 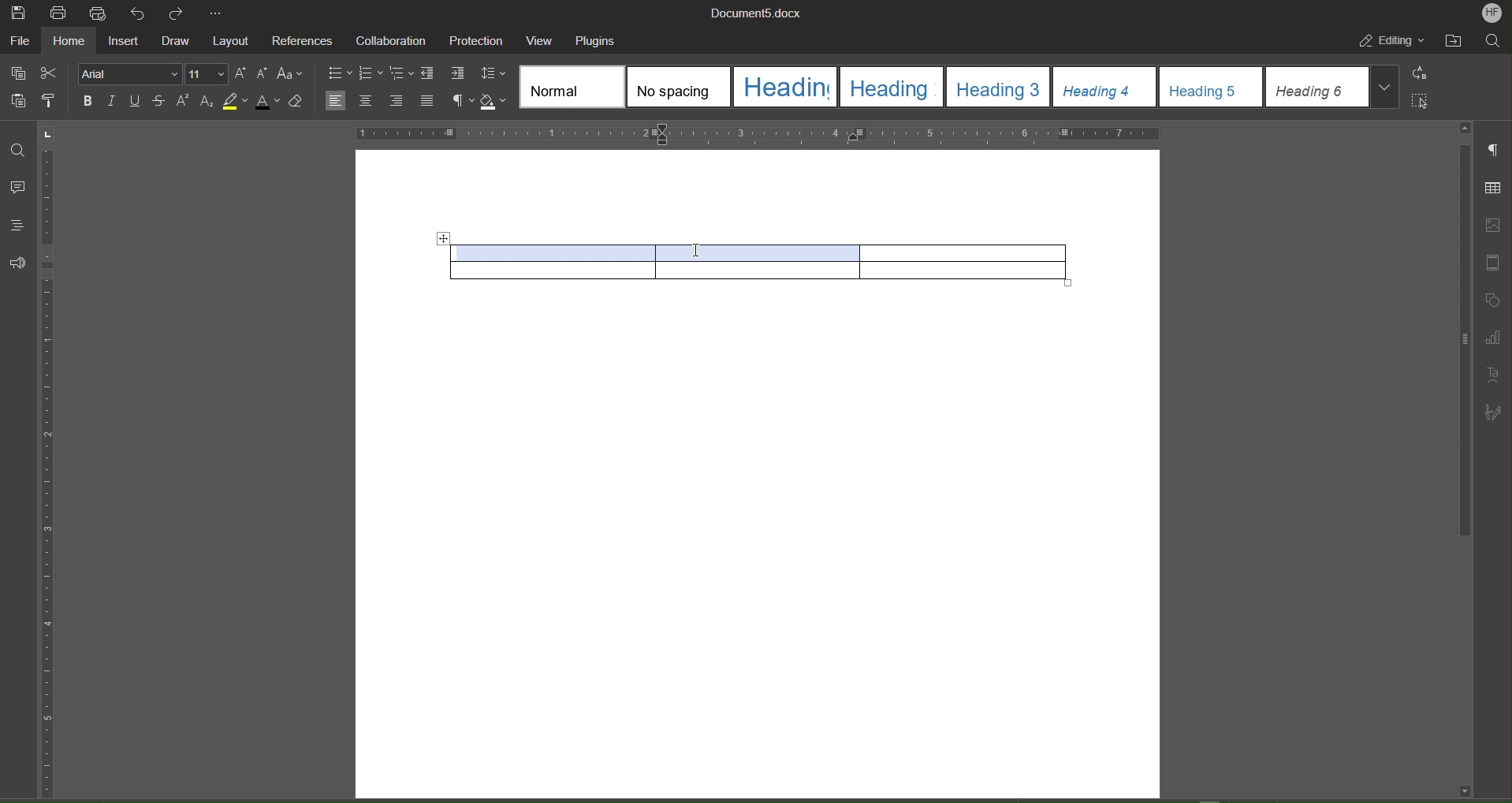 What do you see at coordinates (236, 101) in the screenshot?
I see `Highlight` at bounding box center [236, 101].